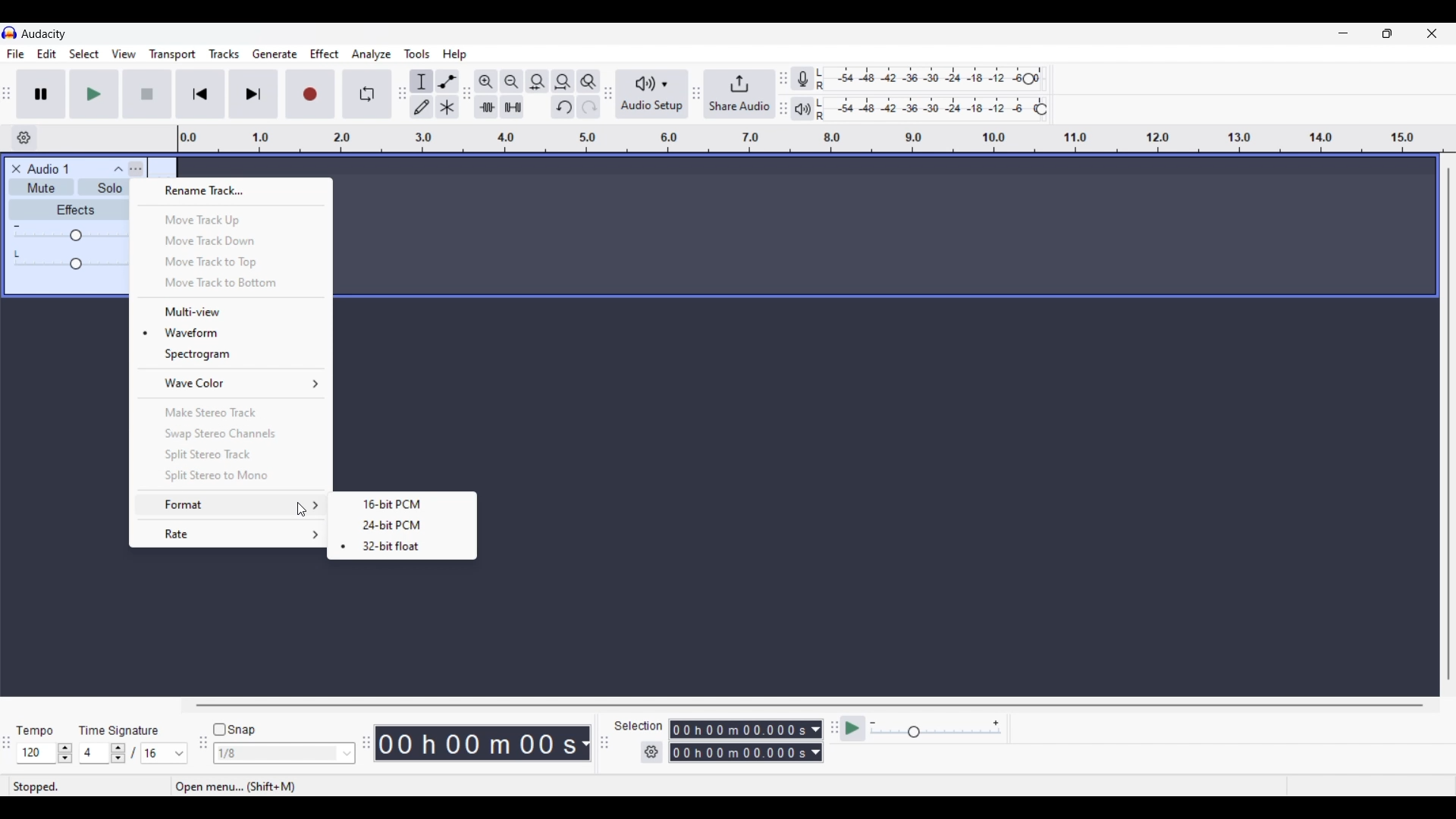 The width and height of the screenshot is (1456, 819). Describe the element at coordinates (70, 237) in the screenshot. I see `Slider` at that location.